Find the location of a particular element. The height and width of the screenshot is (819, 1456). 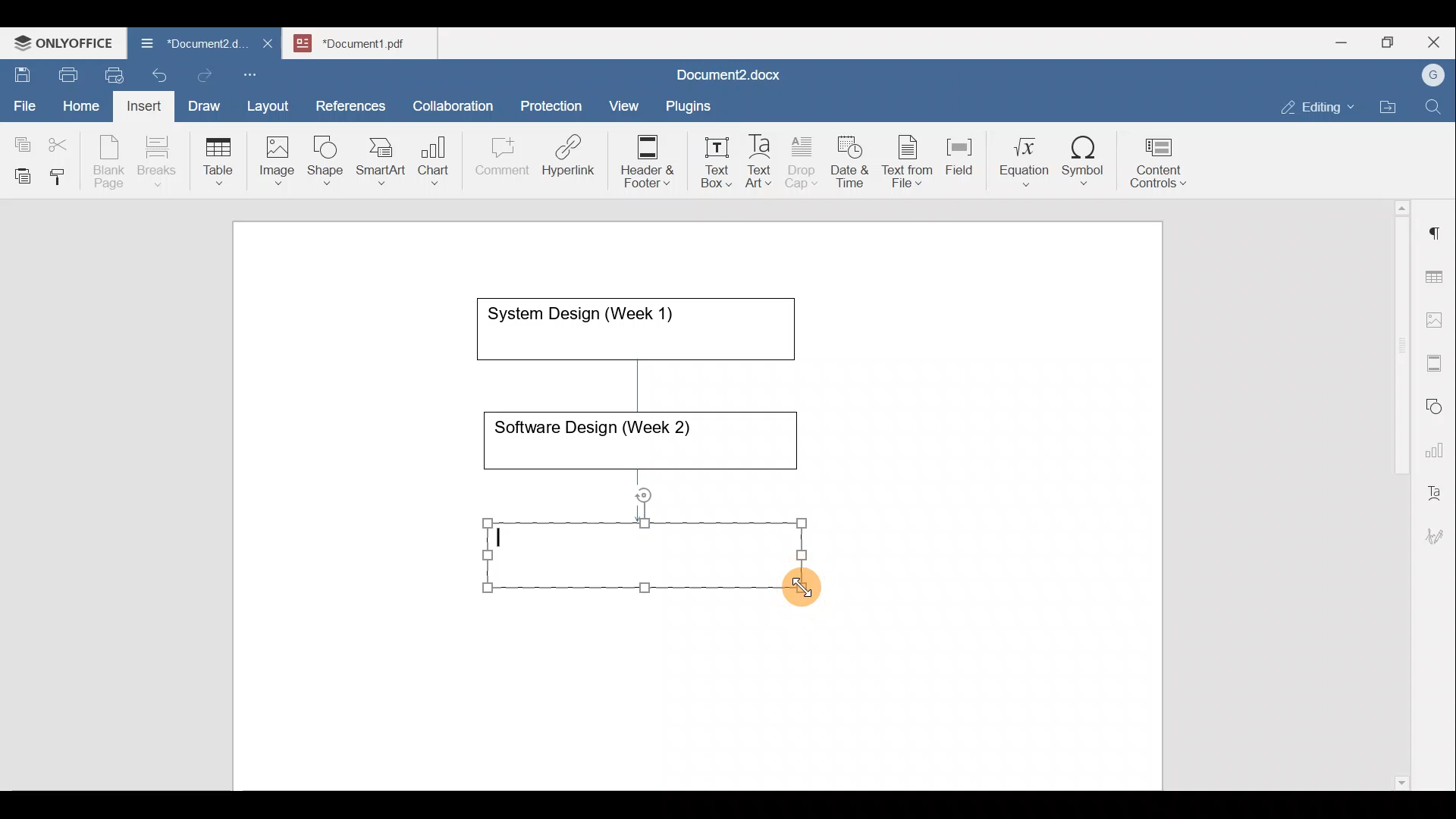

Date & time is located at coordinates (851, 159).